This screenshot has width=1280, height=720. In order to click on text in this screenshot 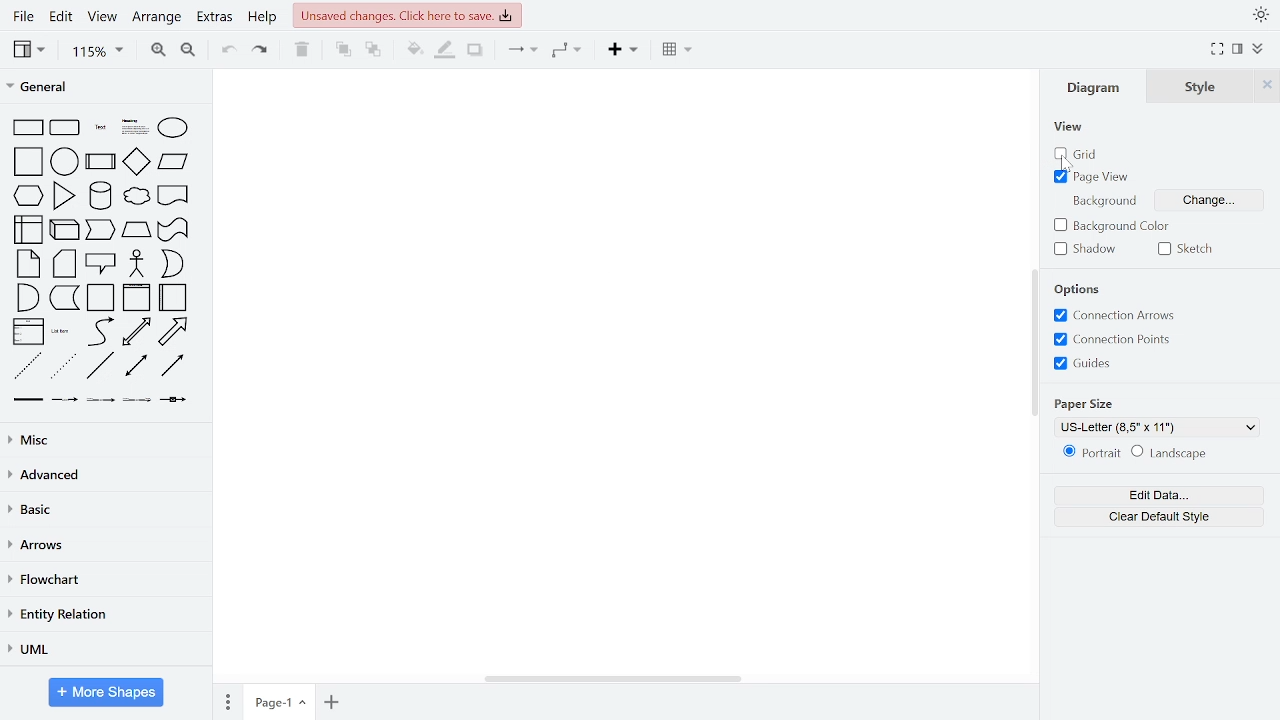, I will do `click(98, 129)`.